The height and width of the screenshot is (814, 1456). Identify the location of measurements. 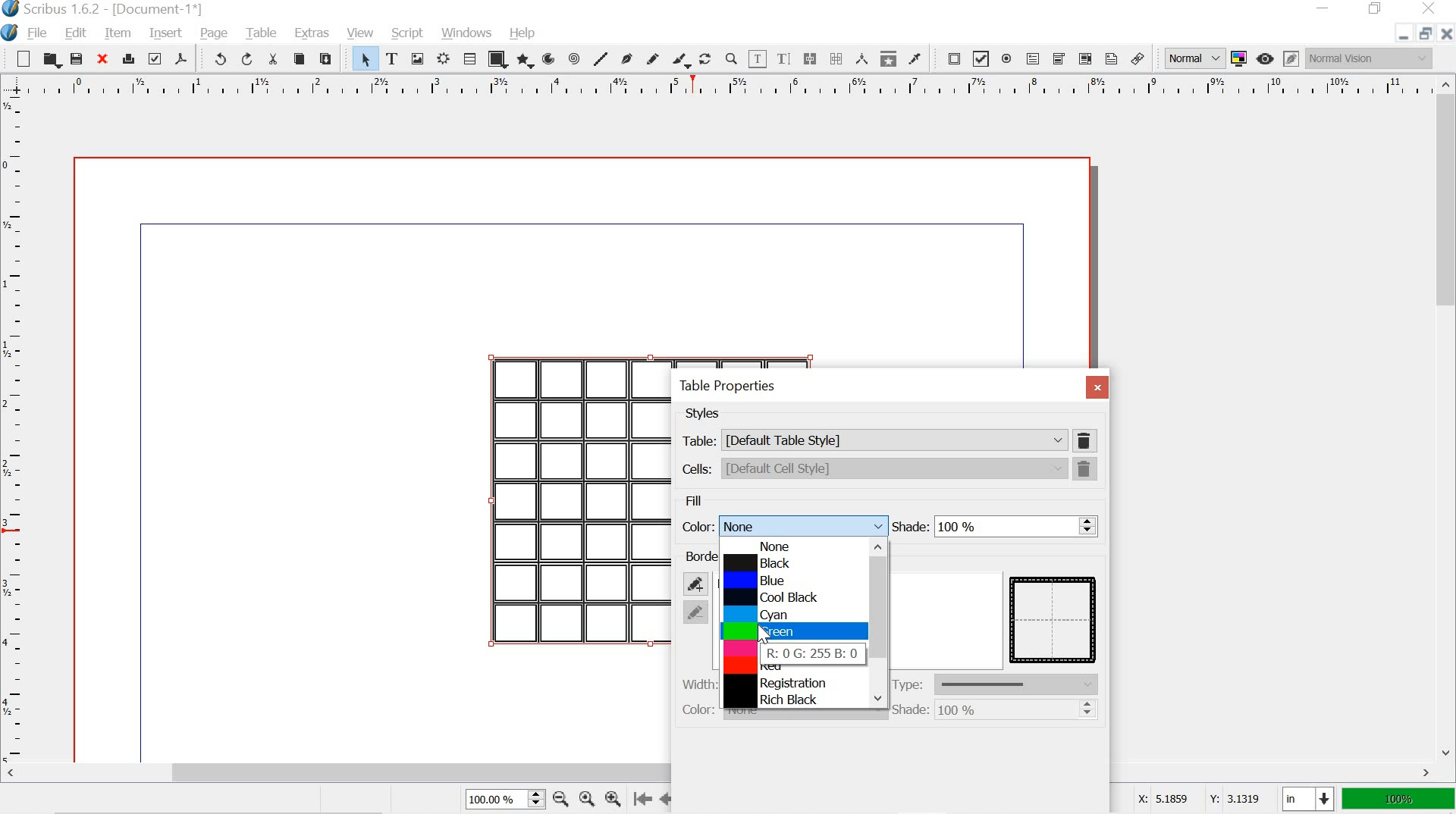
(863, 58).